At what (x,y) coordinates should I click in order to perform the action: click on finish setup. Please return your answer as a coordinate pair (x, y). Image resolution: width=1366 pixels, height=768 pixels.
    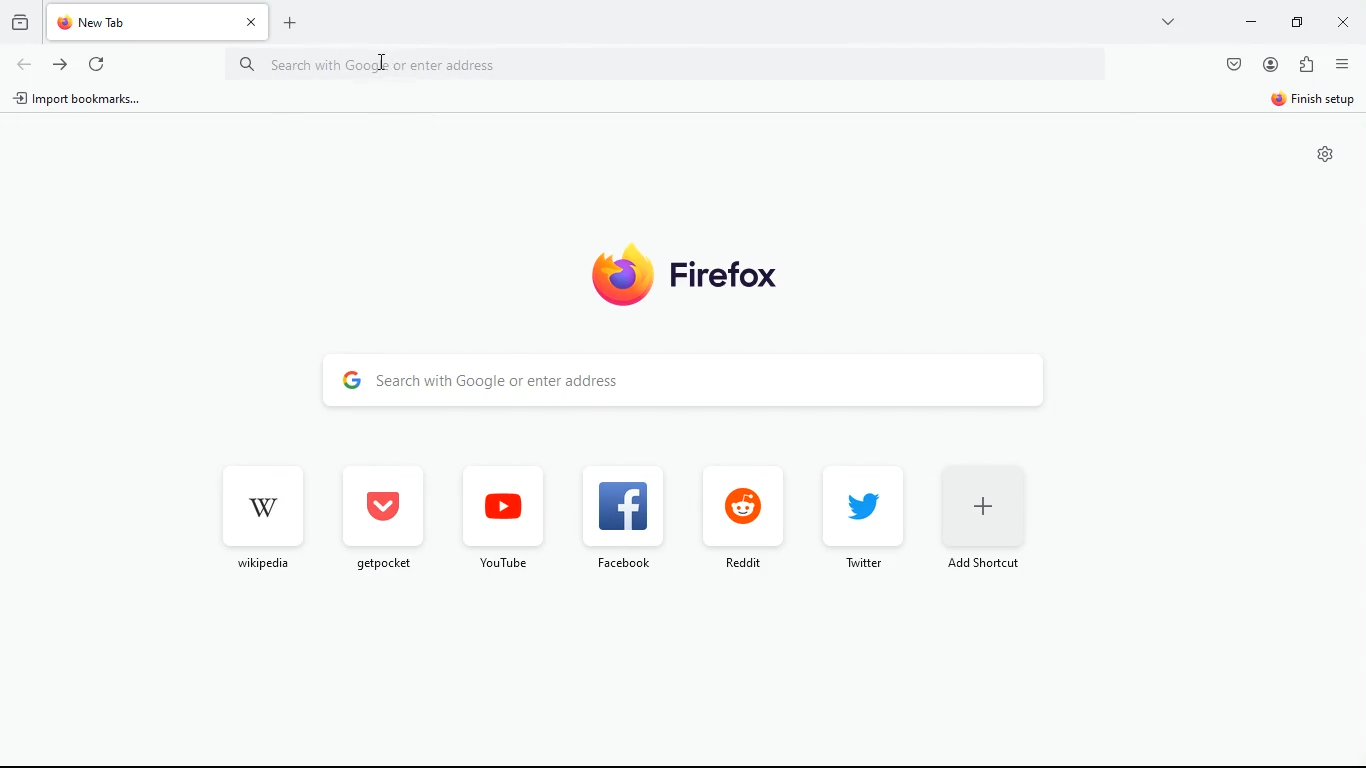
    Looking at the image, I should click on (1314, 102).